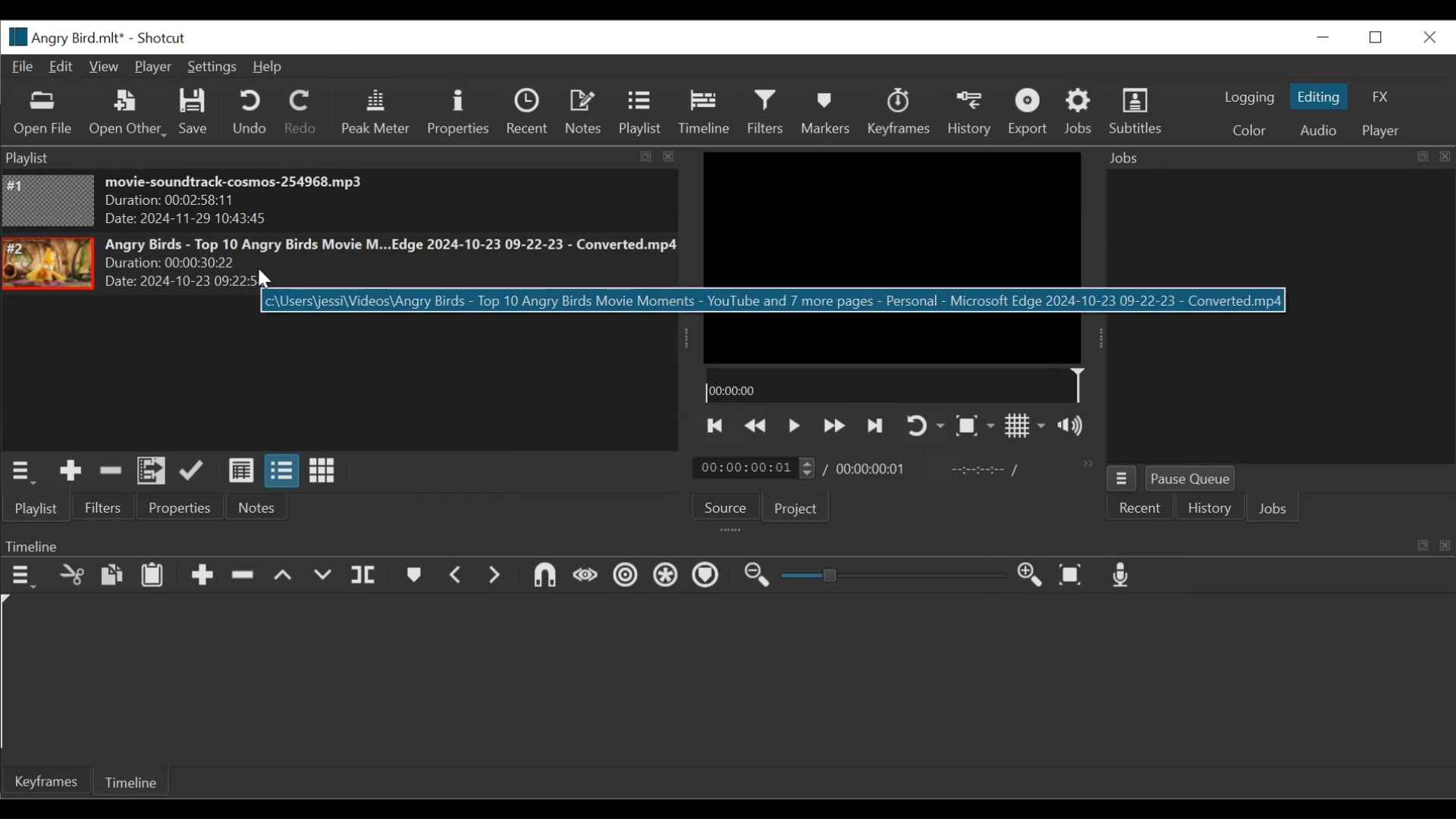 The width and height of the screenshot is (1456, 819). What do you see at coordinates (1136, 510) in the screenshot?
I see `Recent` at bounding box center [1136, 510].